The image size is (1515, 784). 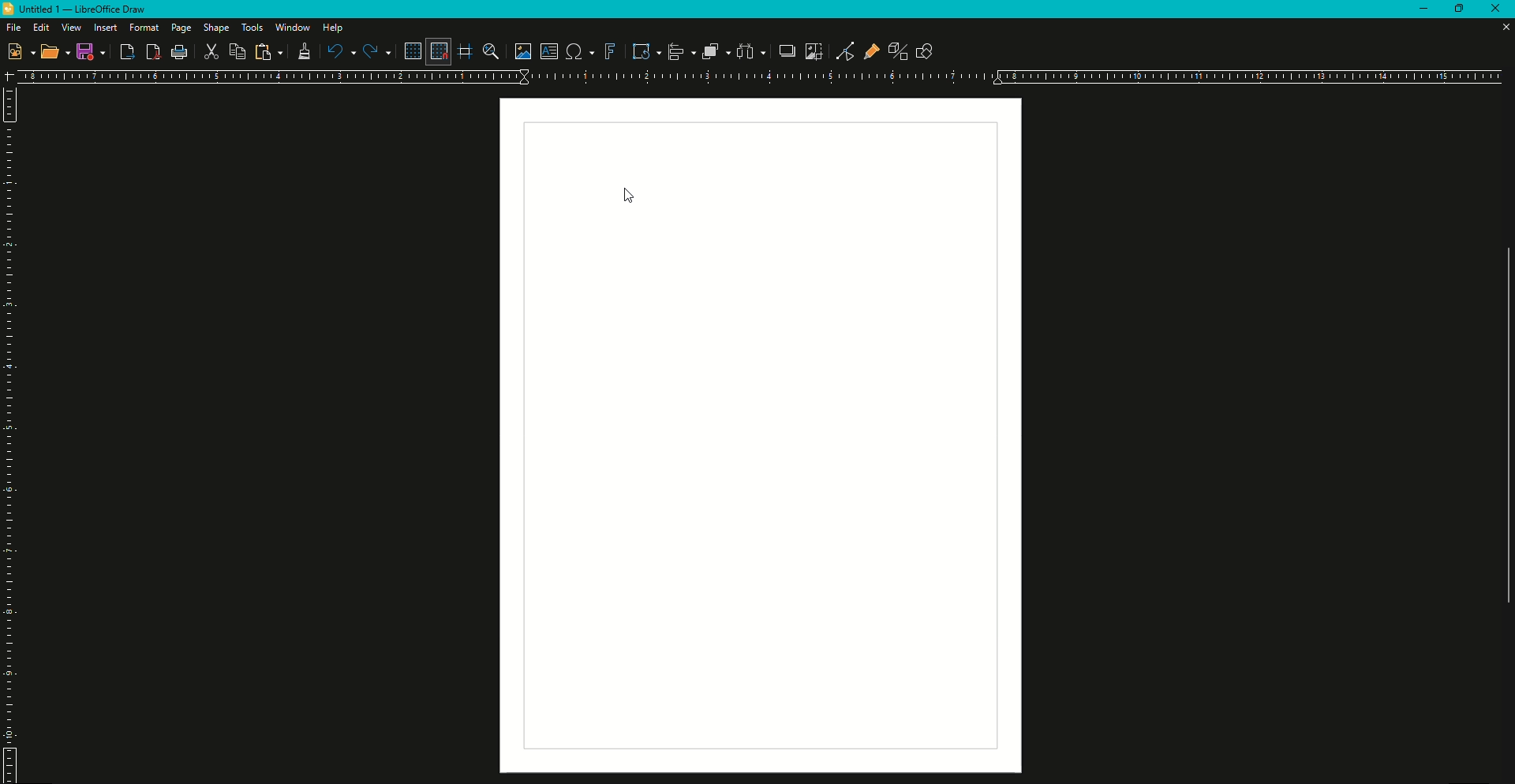 I want to click on Window, so click(x=294, y=27).